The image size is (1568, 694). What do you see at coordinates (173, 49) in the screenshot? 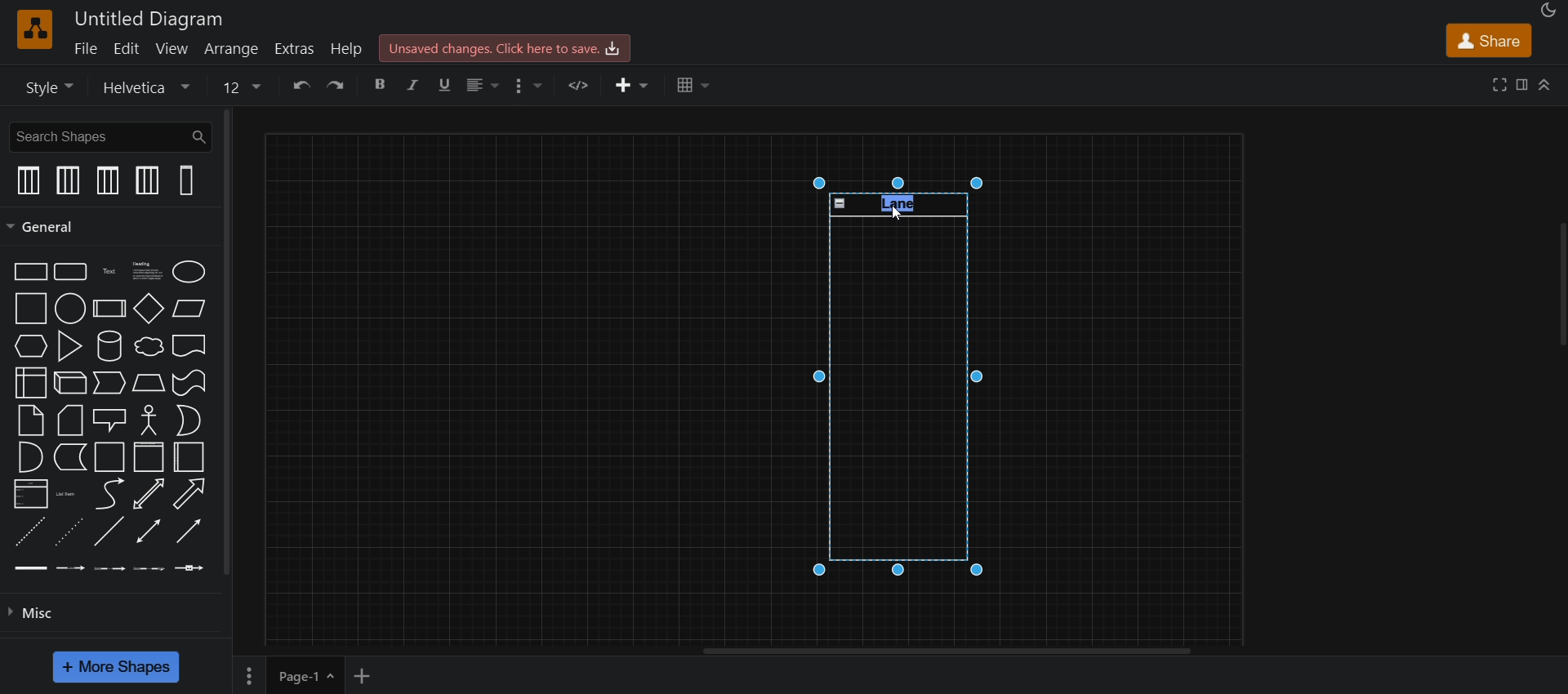
I see `view` at bounding box center [173, 49].